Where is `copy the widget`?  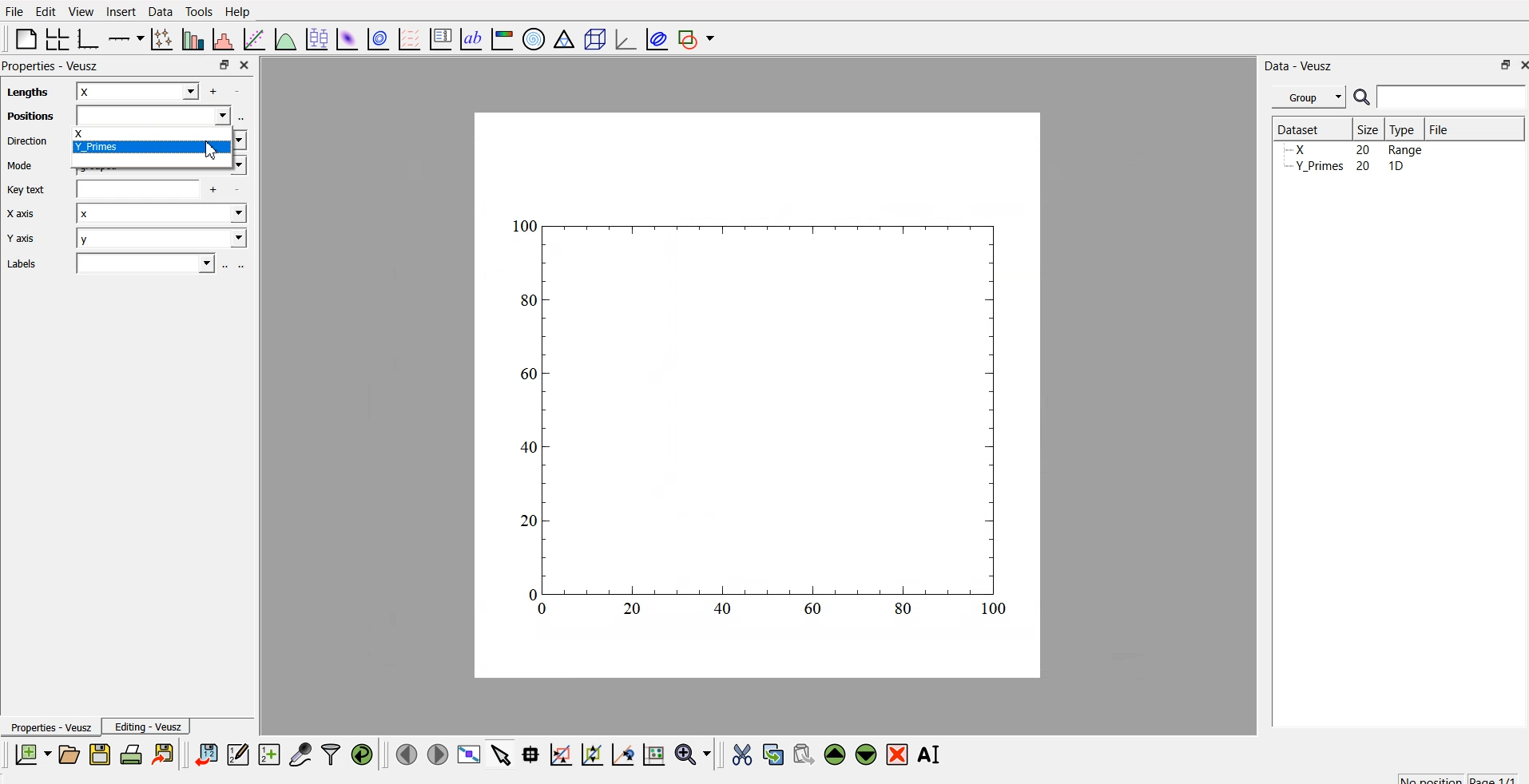 copy the widget is located at coordinates (772, 754).